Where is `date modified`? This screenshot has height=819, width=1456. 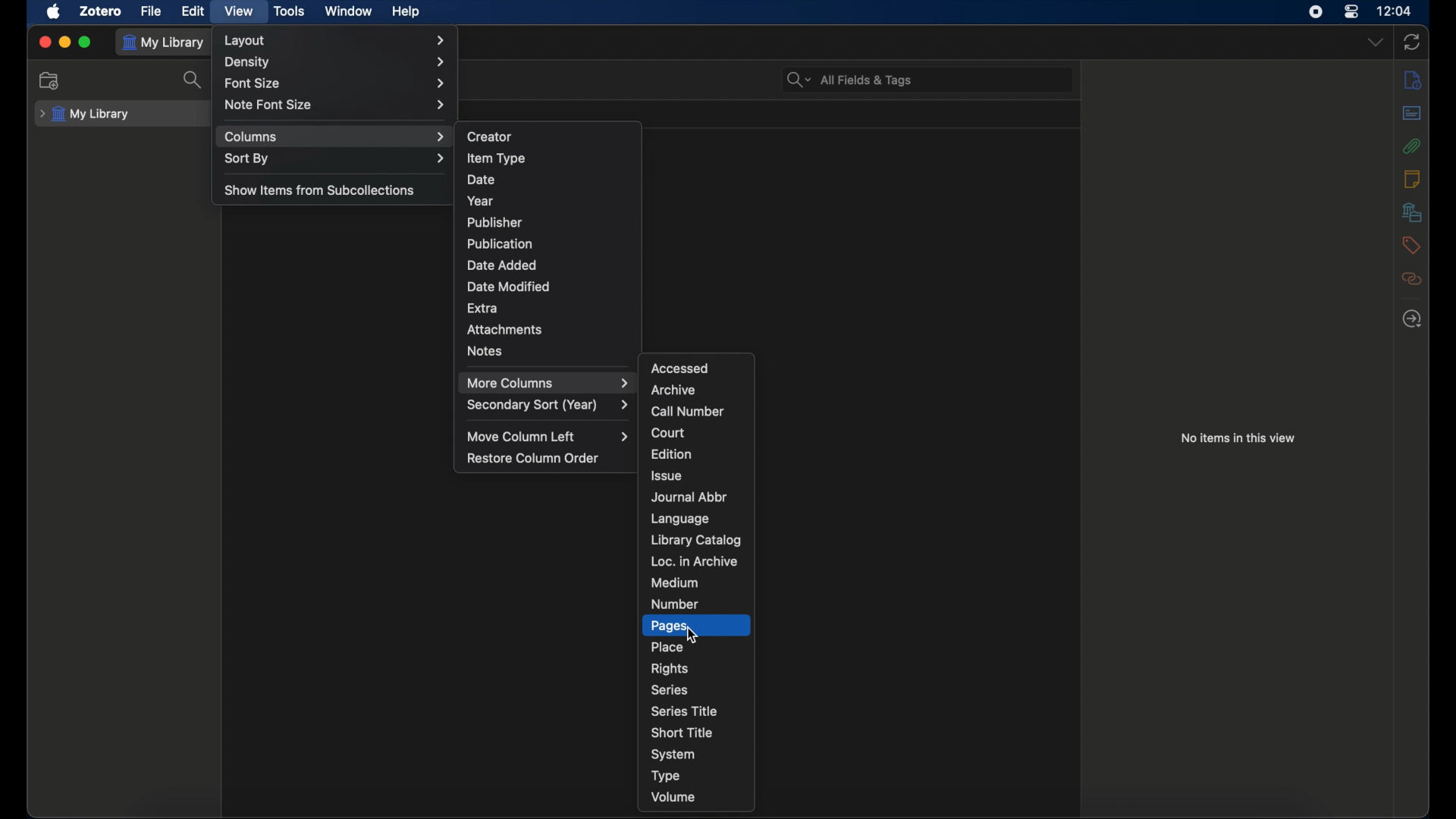
date modified is located at coordinates (509, 287).